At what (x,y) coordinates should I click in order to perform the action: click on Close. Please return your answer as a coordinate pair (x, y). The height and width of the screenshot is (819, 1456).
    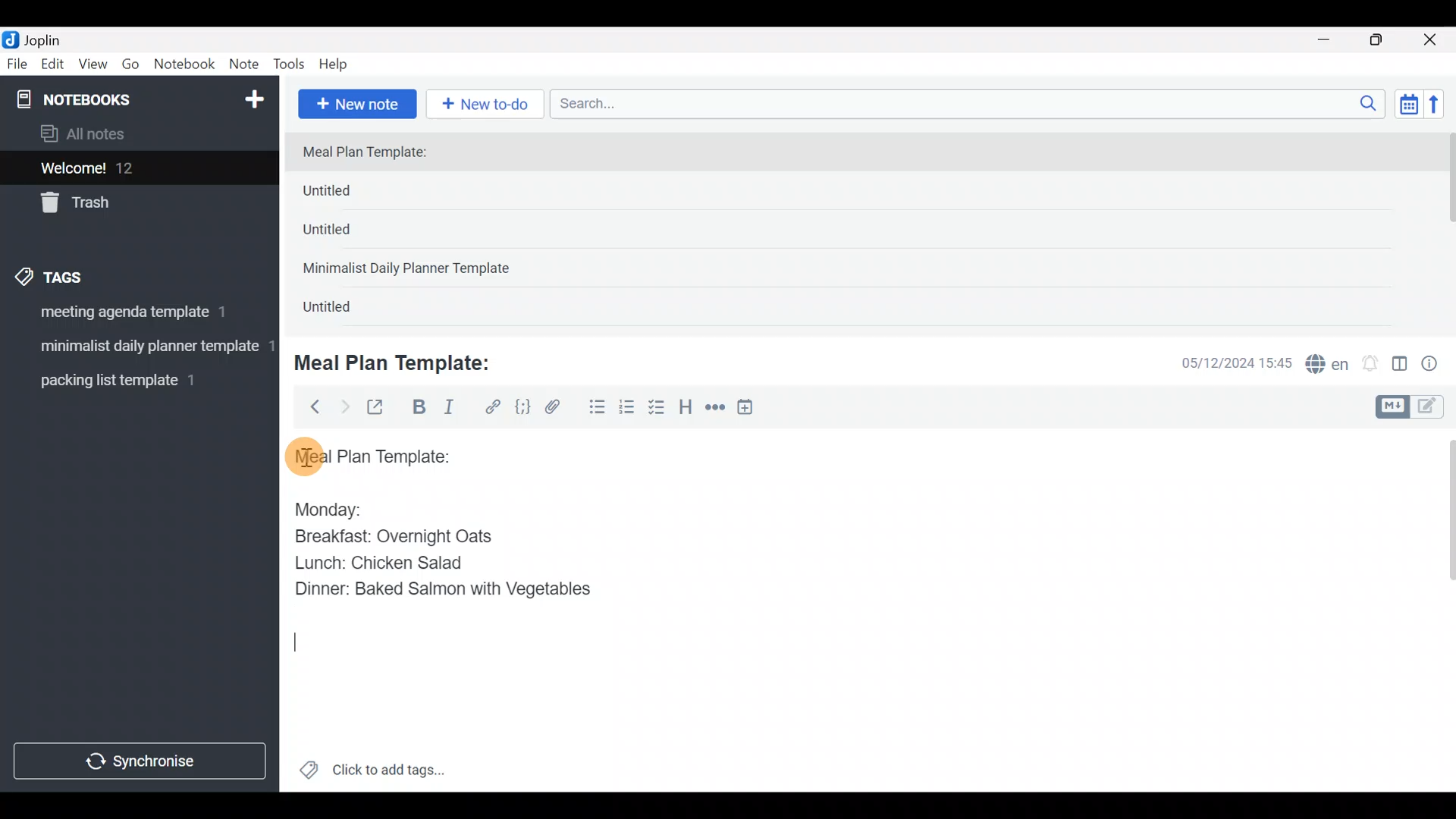
    Looking at the image, I should click on (1432, 41).